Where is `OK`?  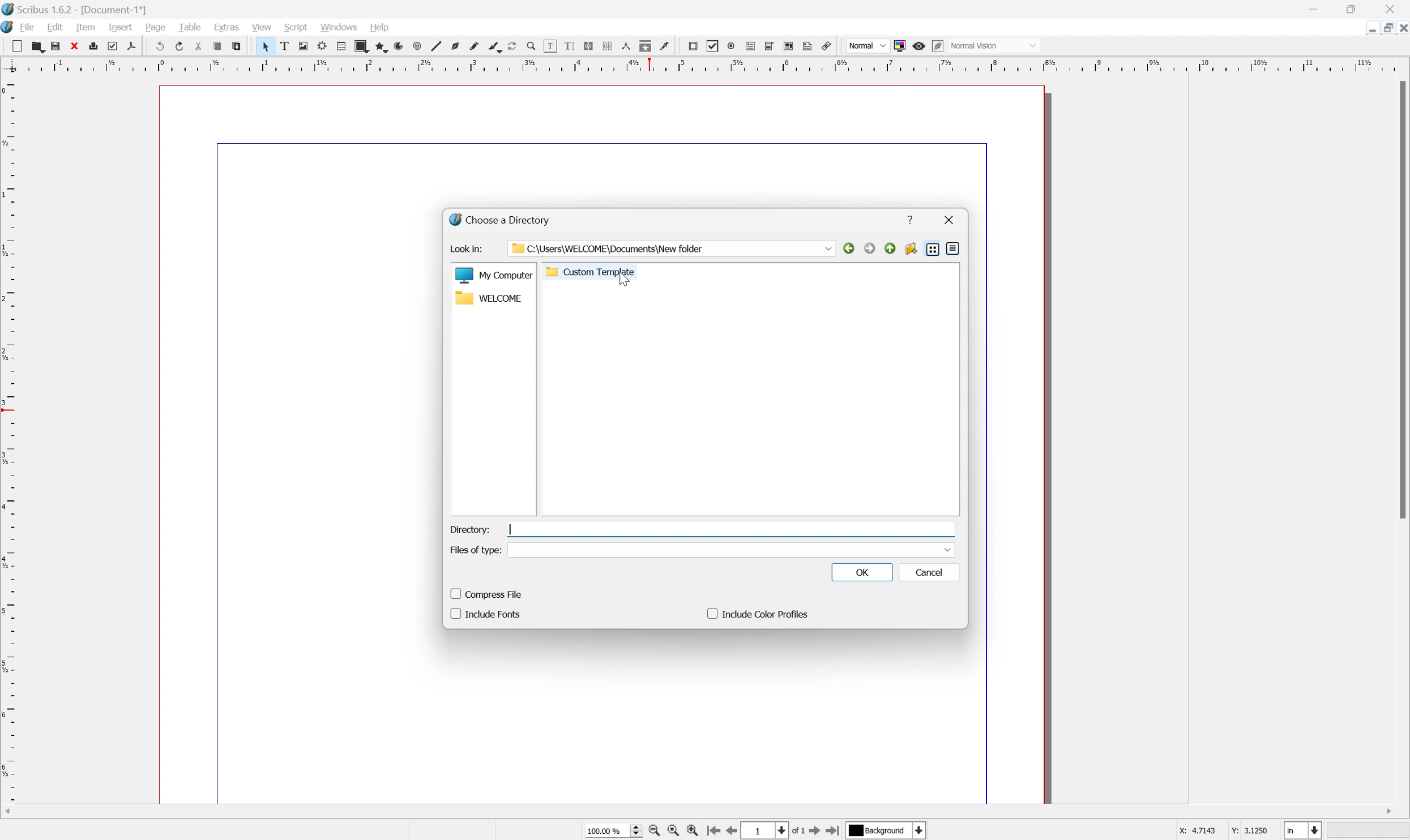
OK is located at coordinates (865, 572).